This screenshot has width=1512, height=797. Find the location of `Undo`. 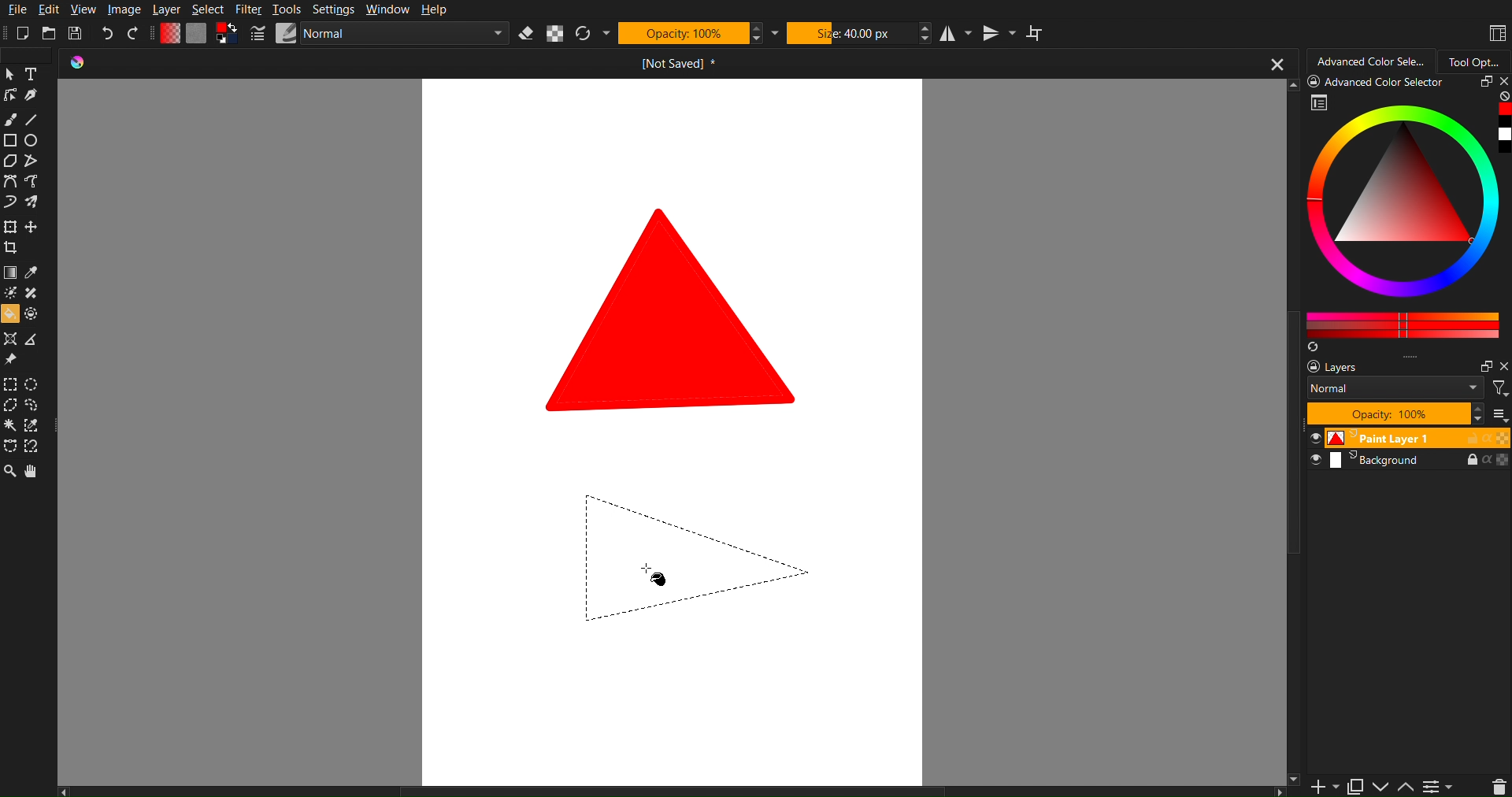

Undo is located at coordinates (106, 32).